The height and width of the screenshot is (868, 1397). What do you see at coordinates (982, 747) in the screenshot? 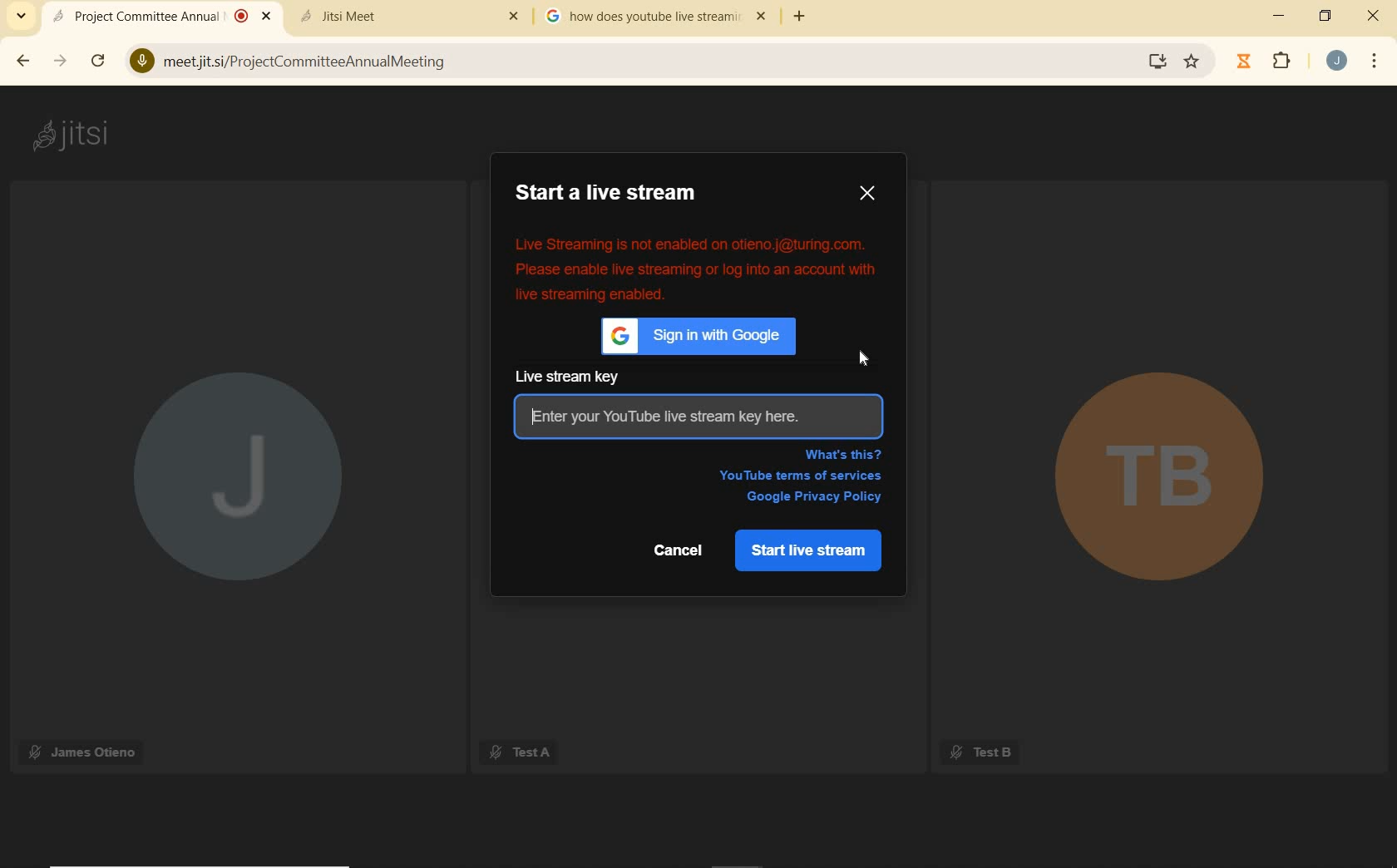
I see `Test B` at bounding box center [982, 747].